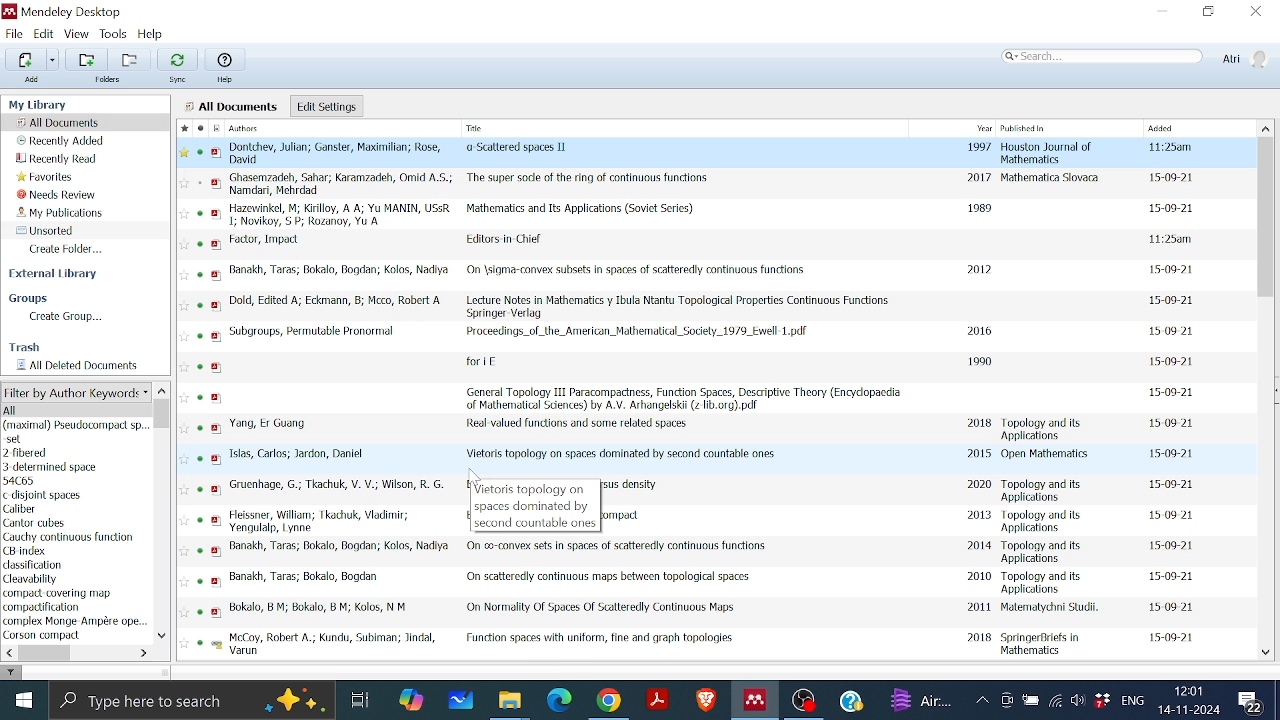  What do you see at coordinates (1164, 127) in the screenshot?
I see `Added` at bounding box center [1164, 127].